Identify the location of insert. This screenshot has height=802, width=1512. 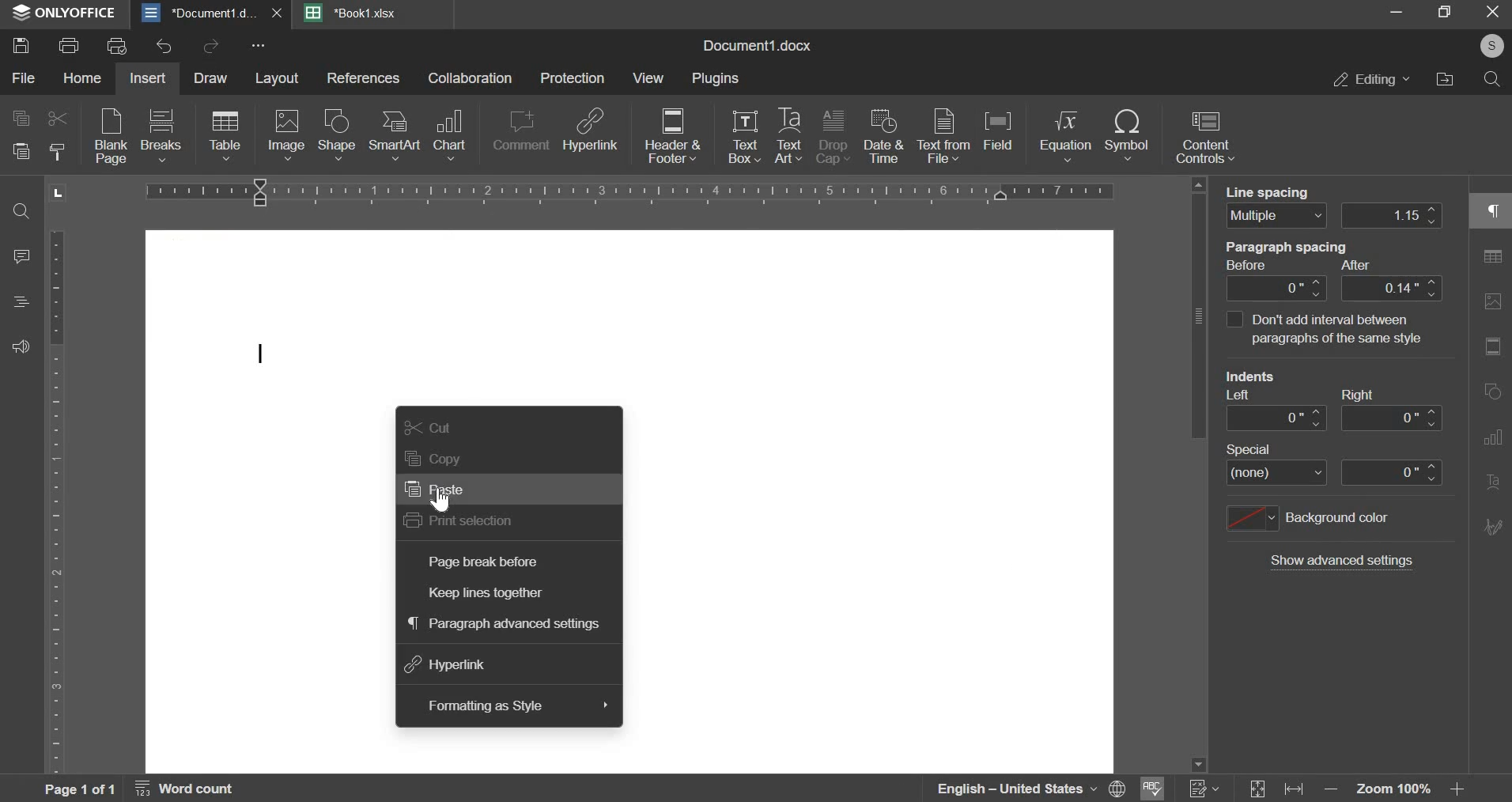
(149, 79).